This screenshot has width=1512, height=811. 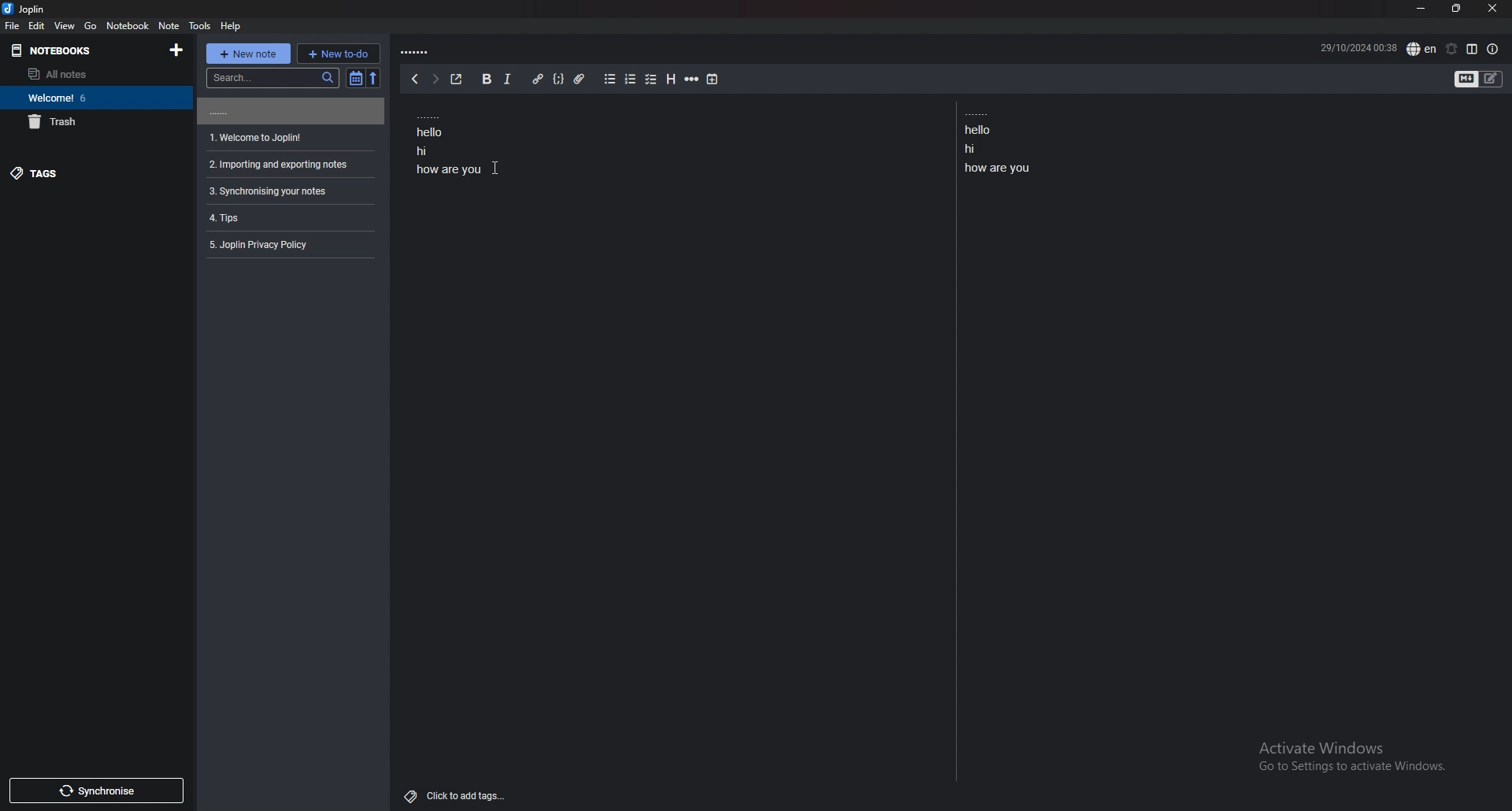 What do you see at coordinates (1457, 9) in the screenshot?
I see `resize` at bounding box center [1457, 9].